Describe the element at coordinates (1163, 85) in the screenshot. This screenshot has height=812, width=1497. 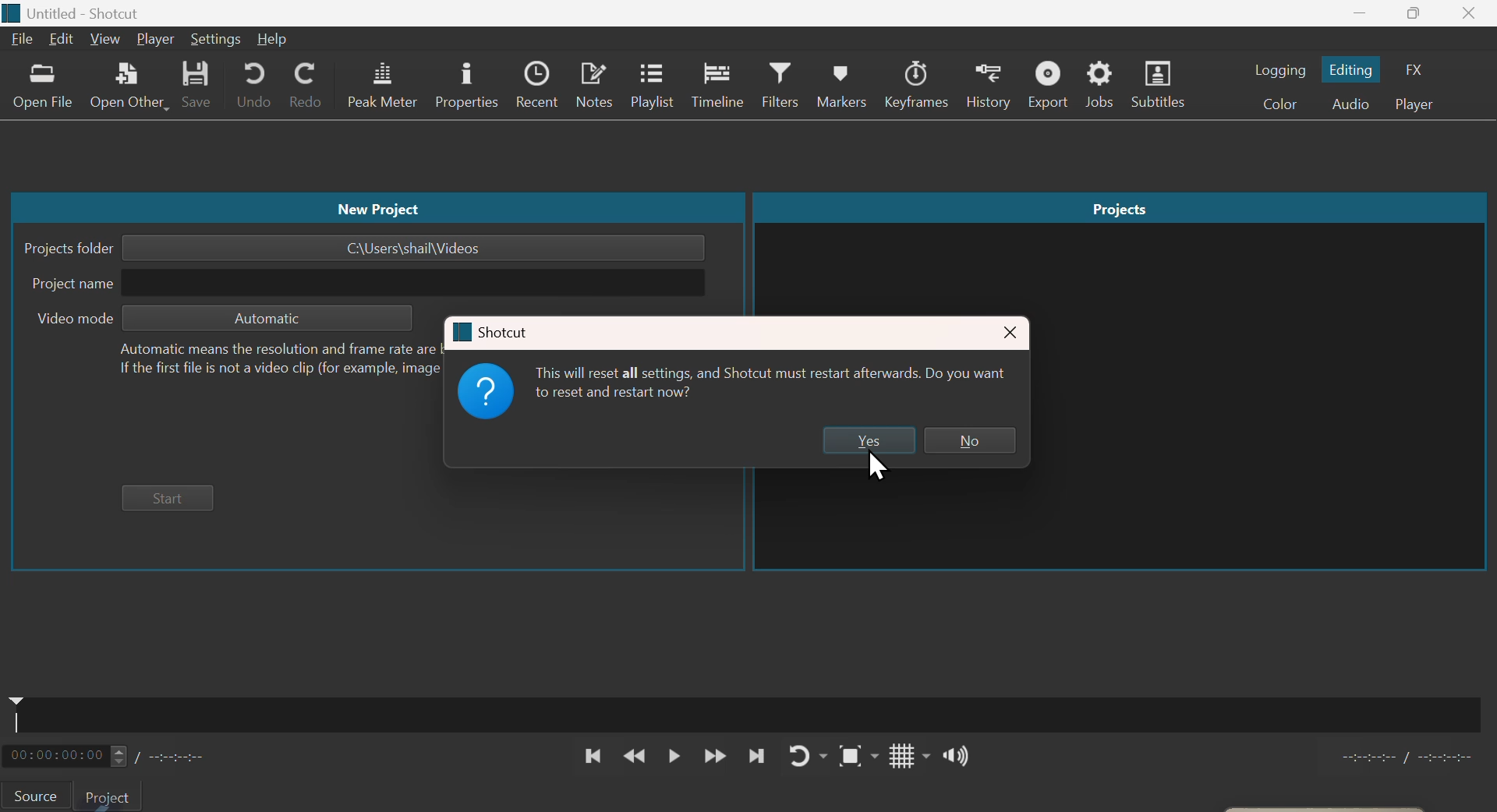
I see `Subtitles` at that location.